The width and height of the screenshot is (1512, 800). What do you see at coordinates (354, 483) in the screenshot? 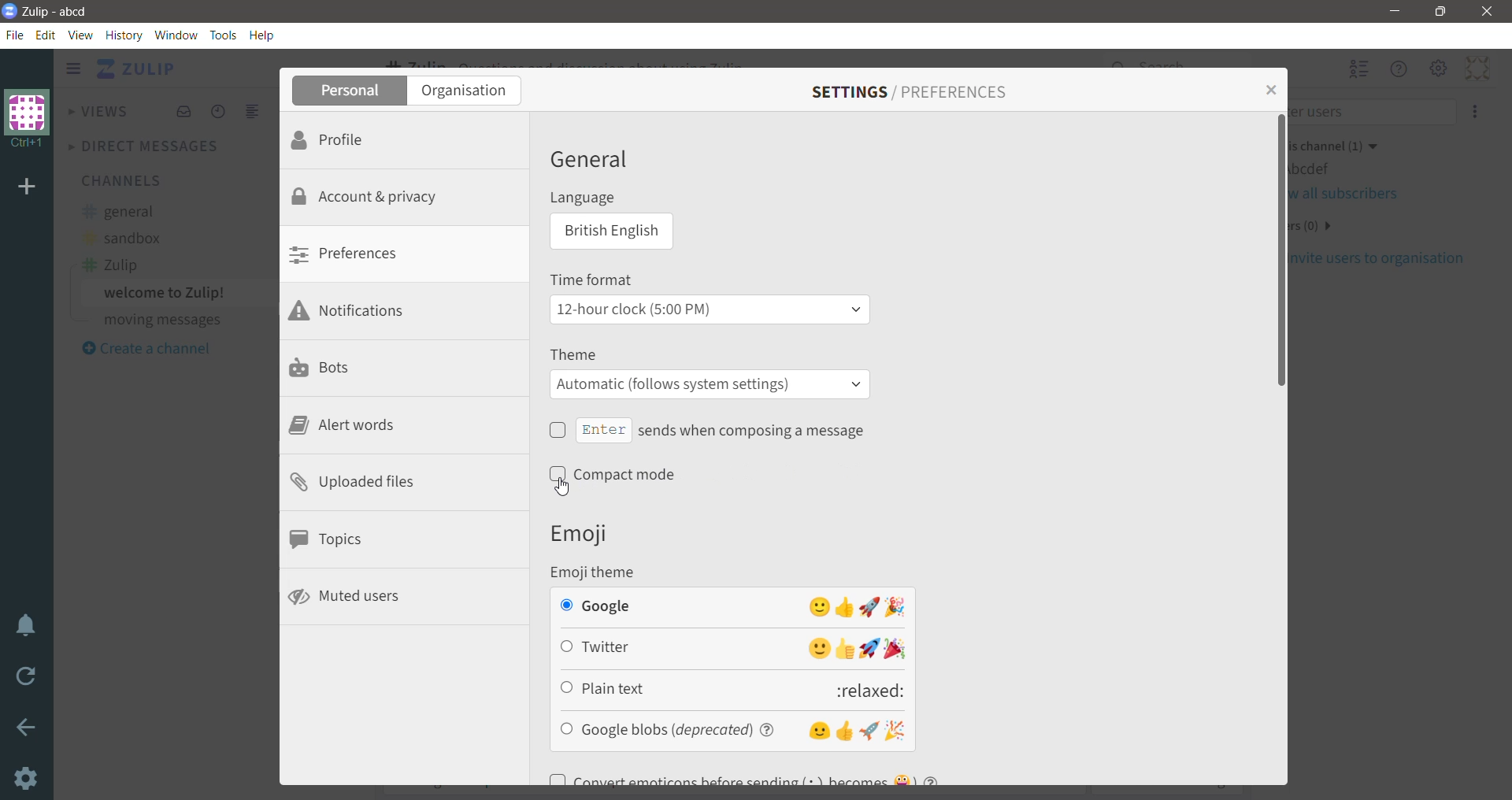
I see `Uploaded files` at bounding box center [354, 483].